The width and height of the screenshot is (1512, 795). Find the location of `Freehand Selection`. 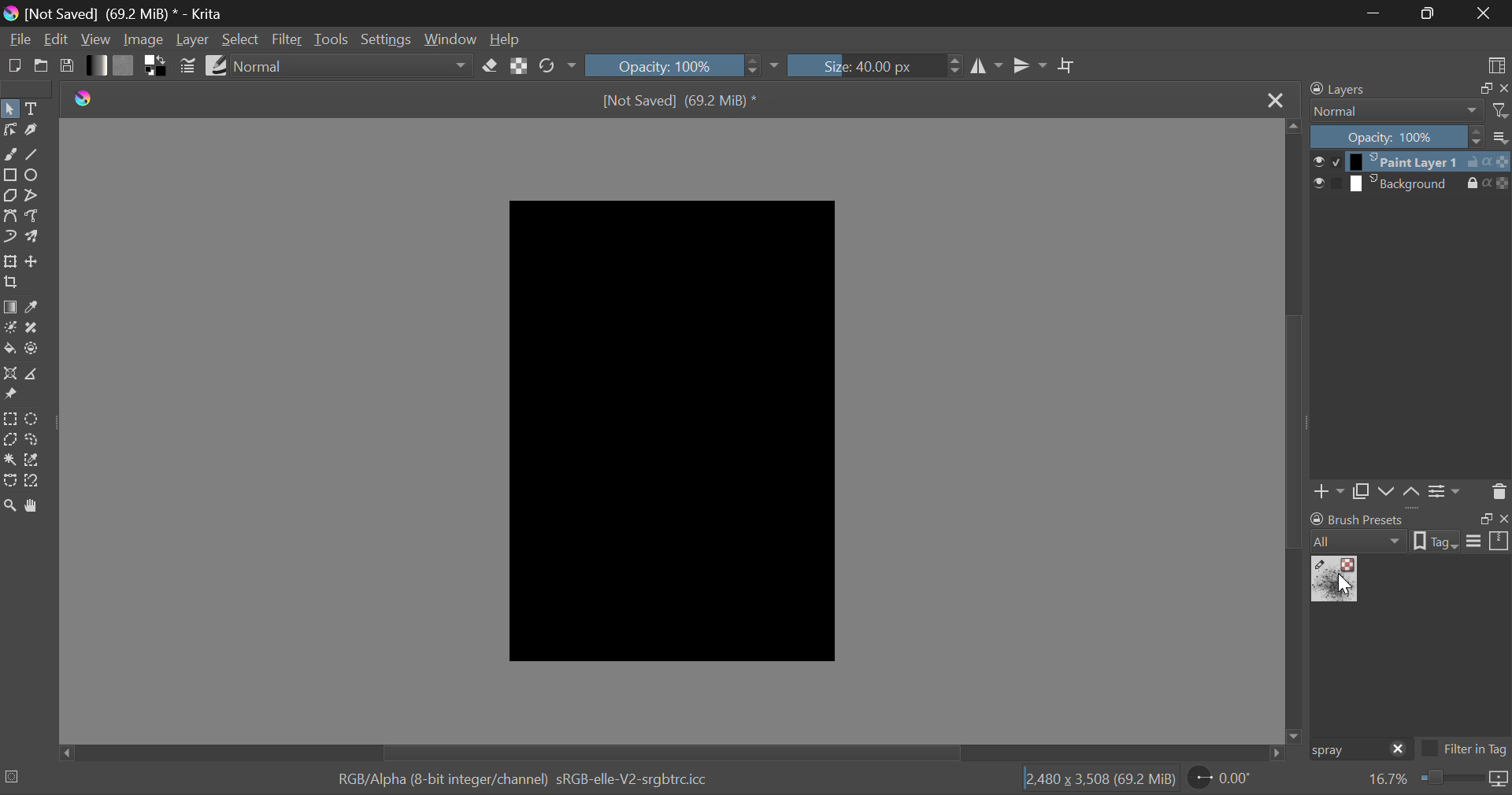

Freehand Selection is located at coordinates (33, 439).